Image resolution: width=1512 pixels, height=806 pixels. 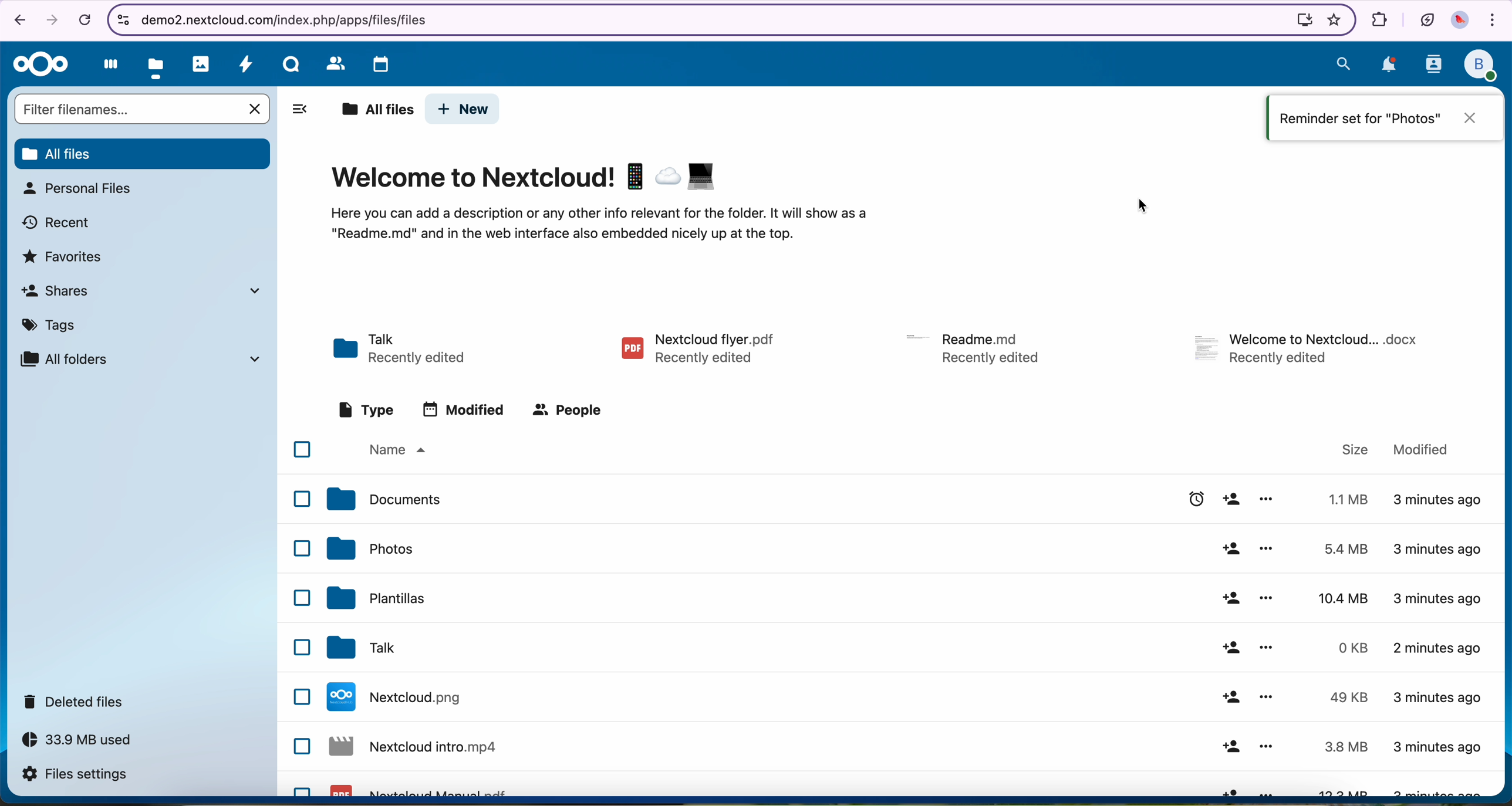 I want to click on 33.9 MB used, so click(x=77, y=741).